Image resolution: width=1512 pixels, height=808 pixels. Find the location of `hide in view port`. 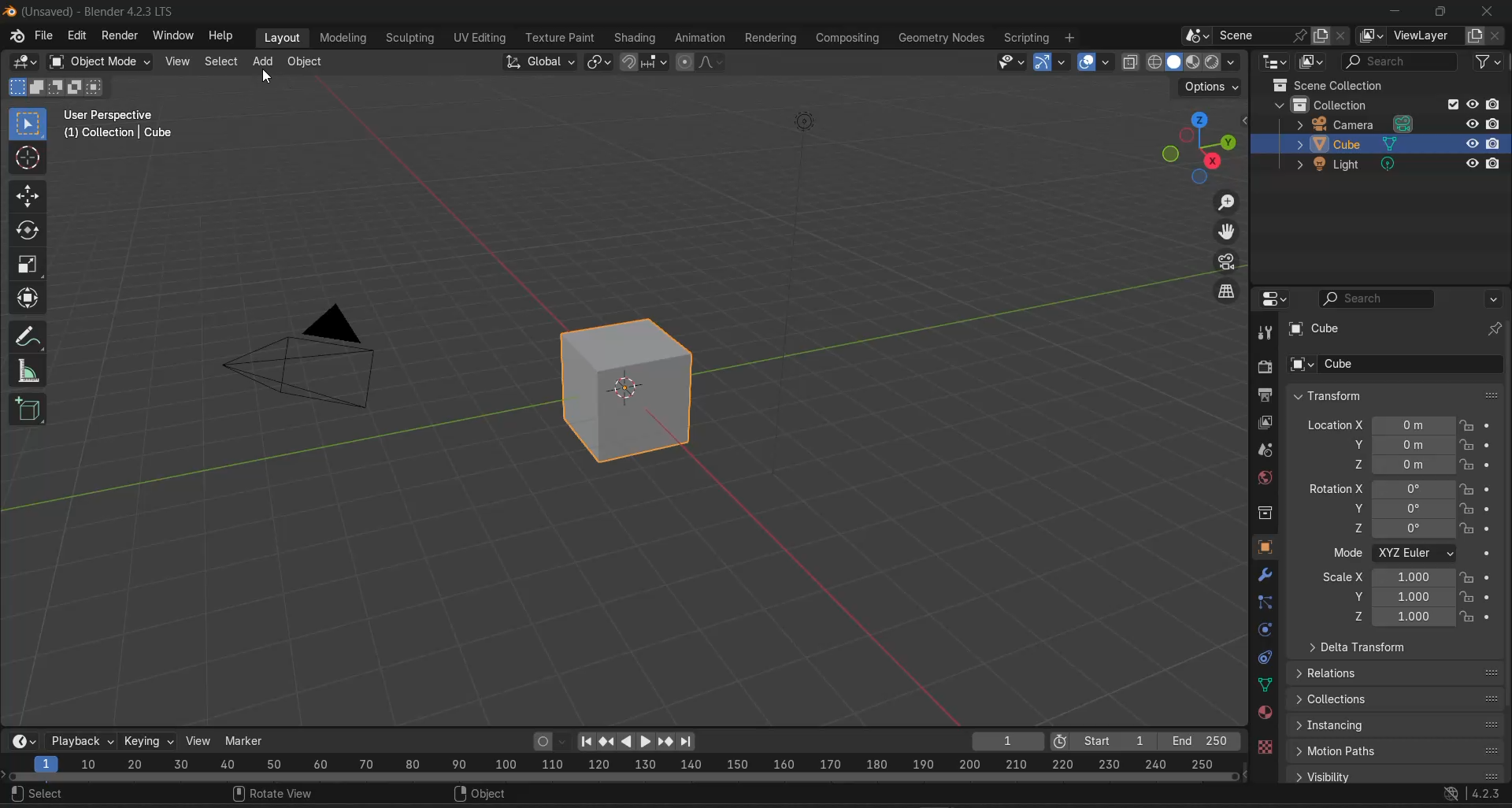

hide in view port is located at coordinates (1471, 142).